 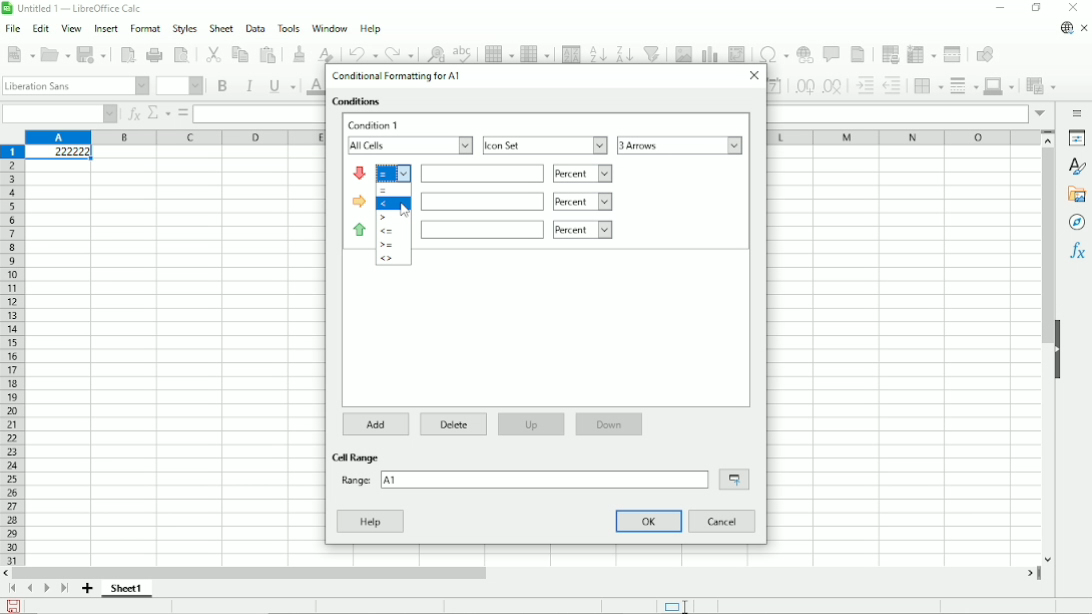 I want to click on All cells, so click(x=409, y=146).